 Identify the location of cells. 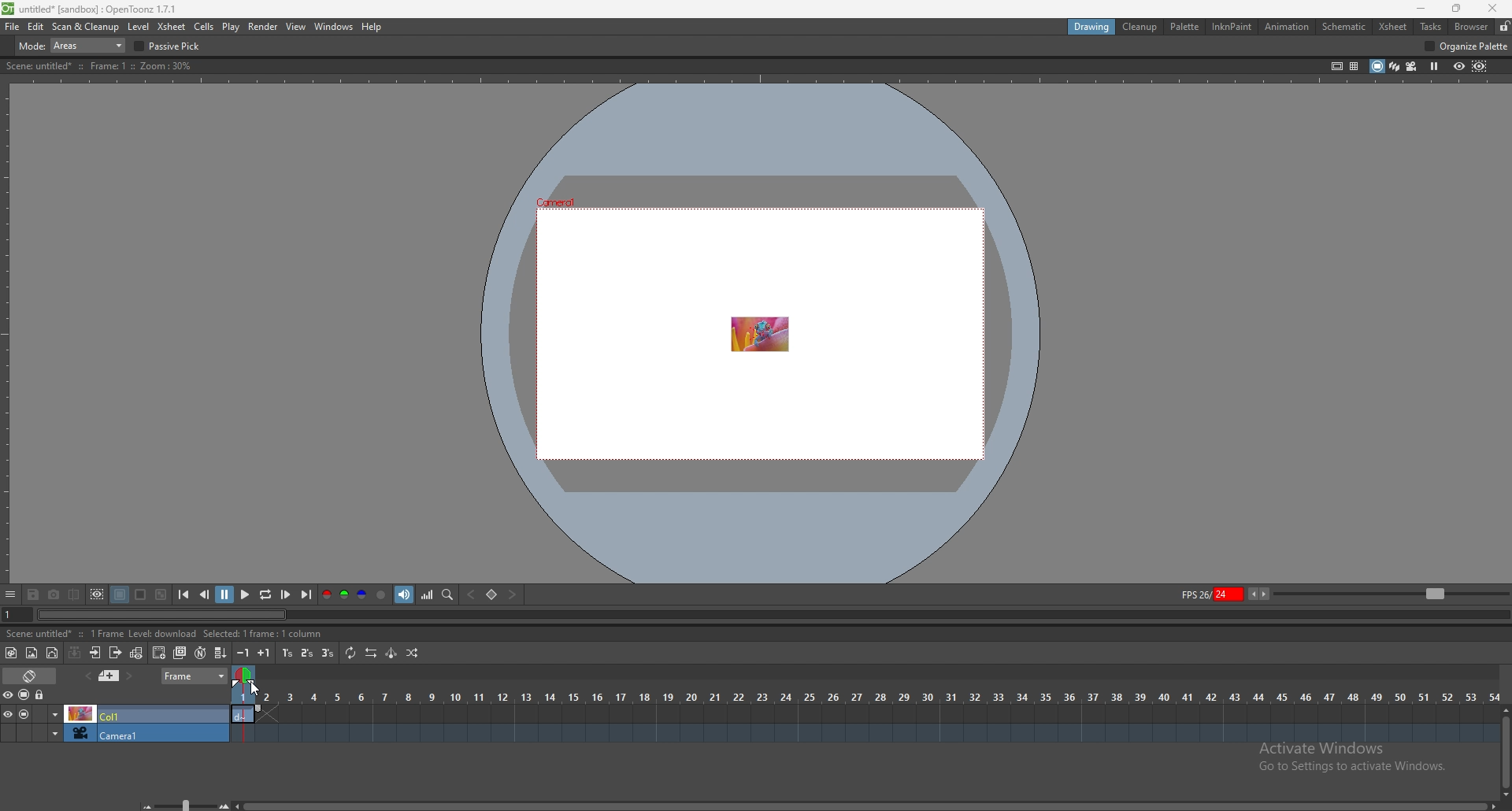
(204, 26).